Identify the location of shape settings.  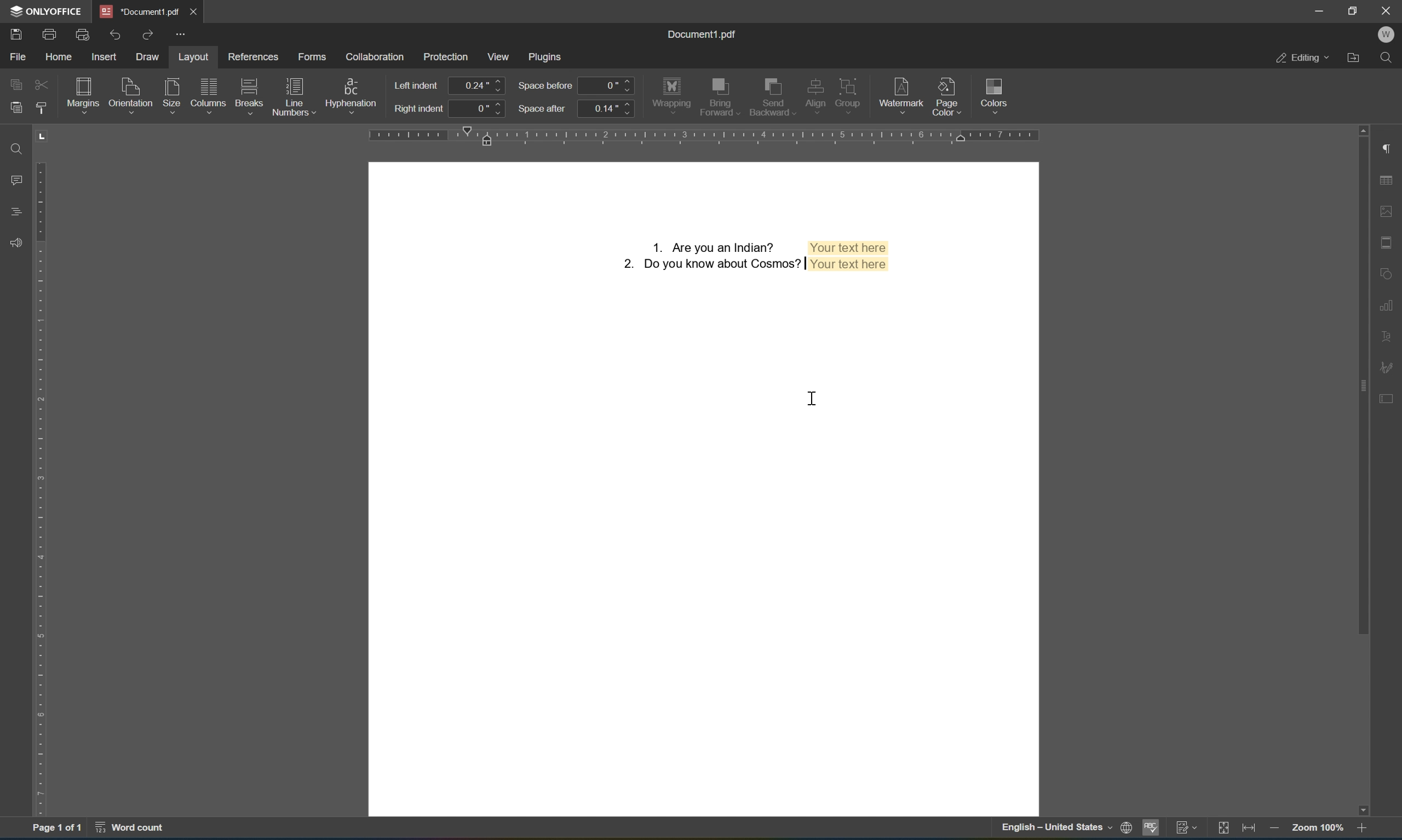
(1391, 269).